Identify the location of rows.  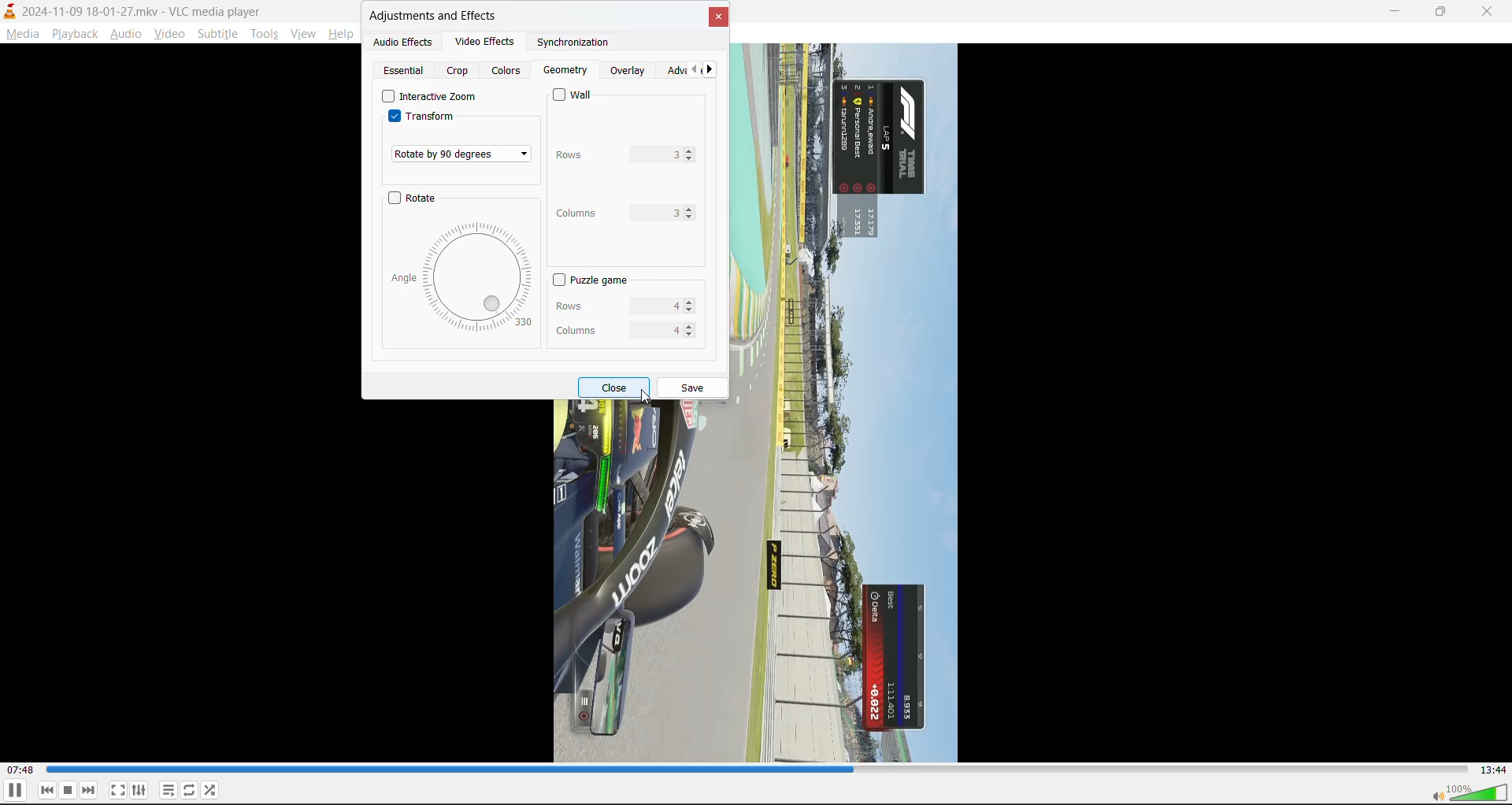
(615, 156).